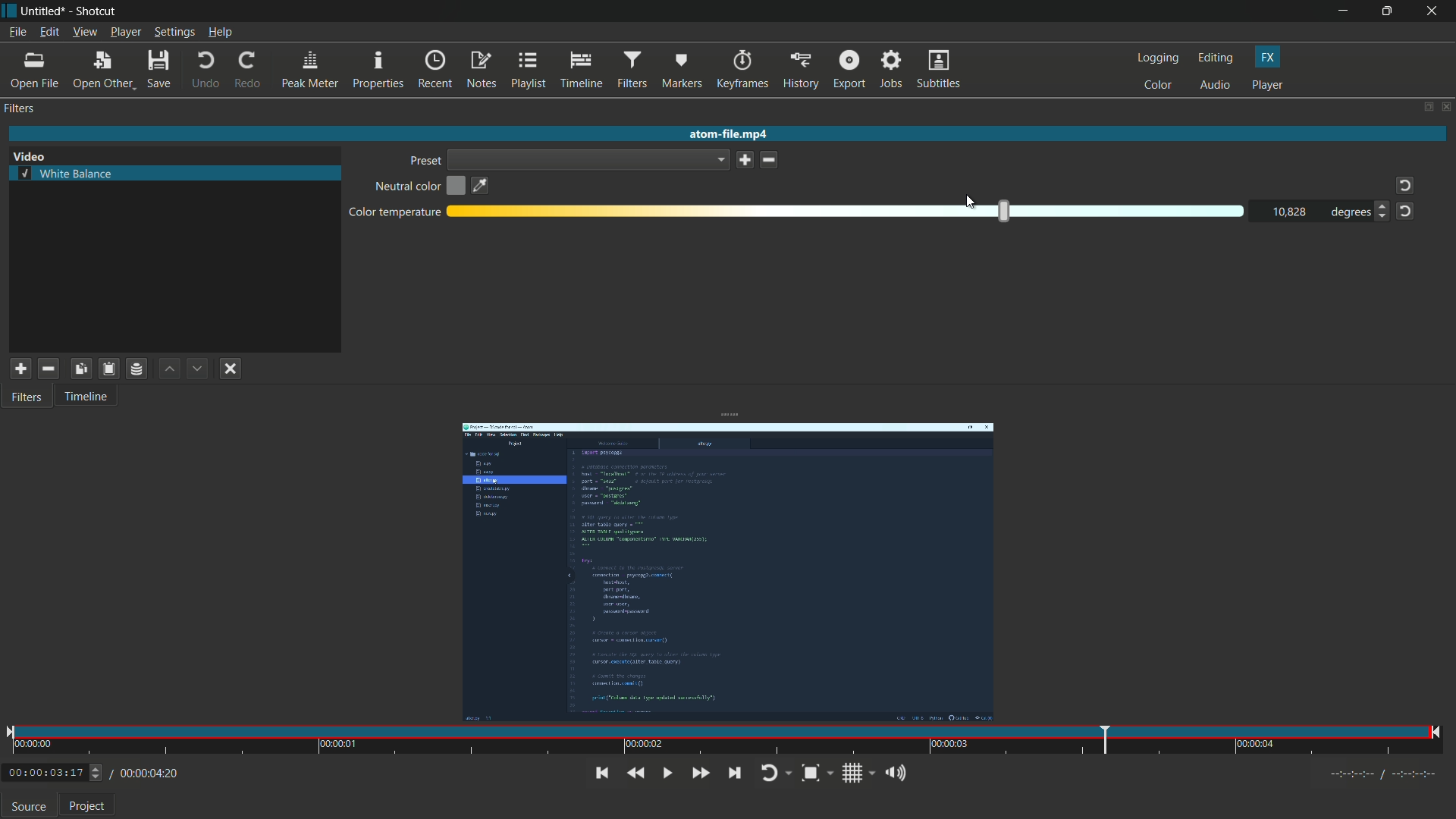 The width and height of the screenshot is (1456, 819). What do you see at coordinates (8, 11) in the screenshot?
I see `Shotcut icon` at bounding box center [8, 11].